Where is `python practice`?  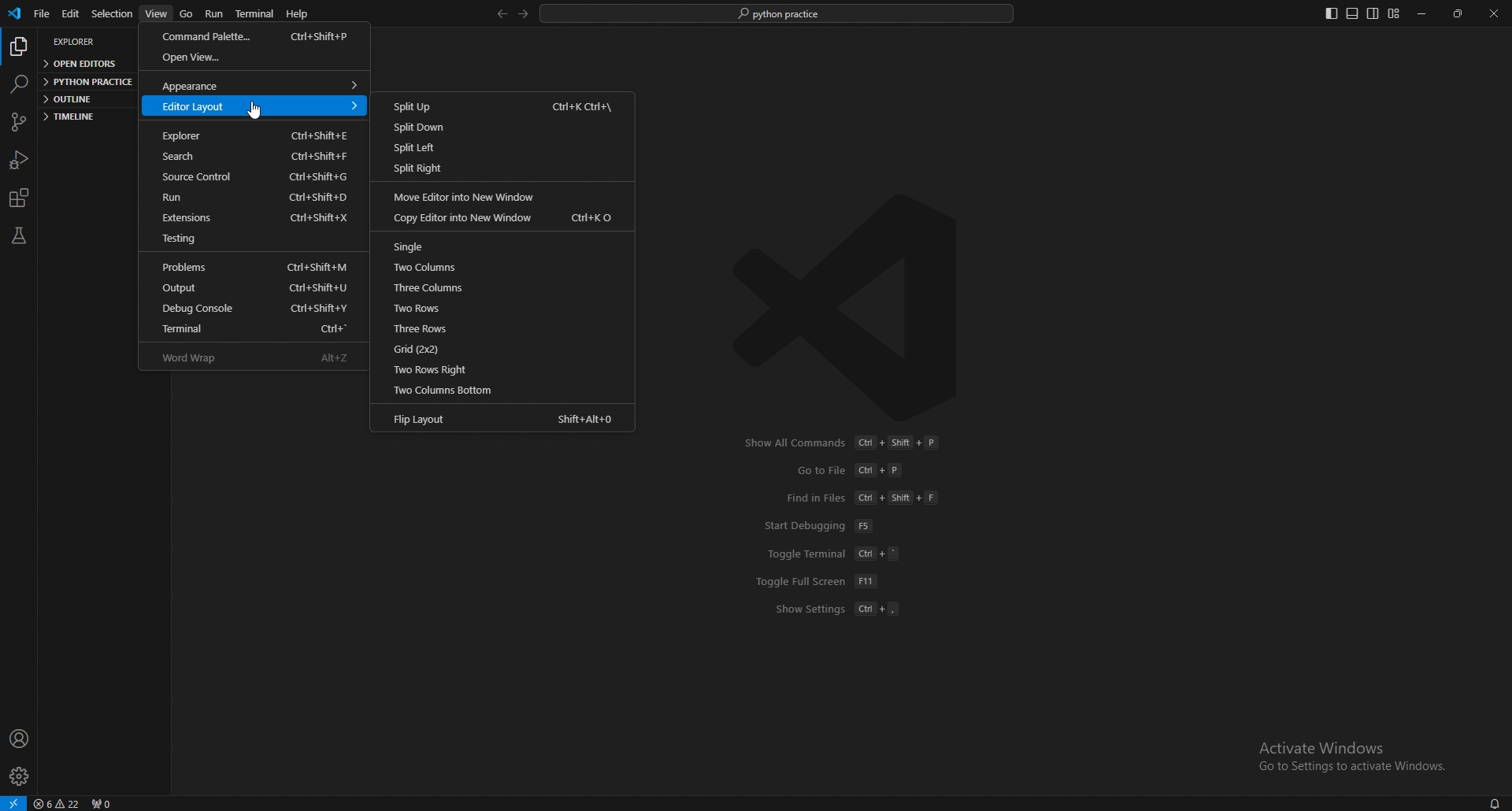 python practice is located at coordinates (87, 80).